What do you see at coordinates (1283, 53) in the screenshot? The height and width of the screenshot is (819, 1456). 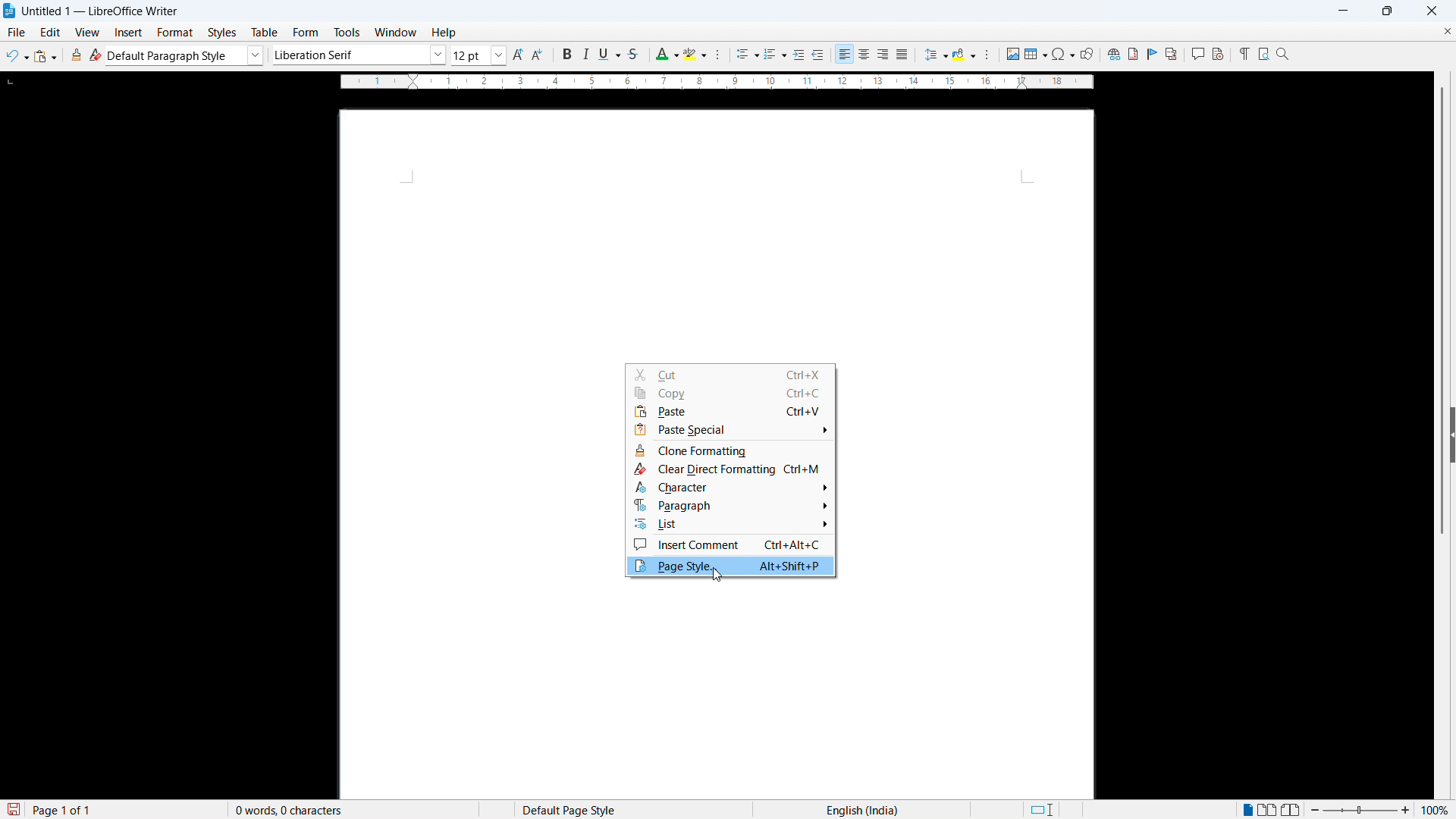 I see `Zoom ` at bounding box center [1283, 53].